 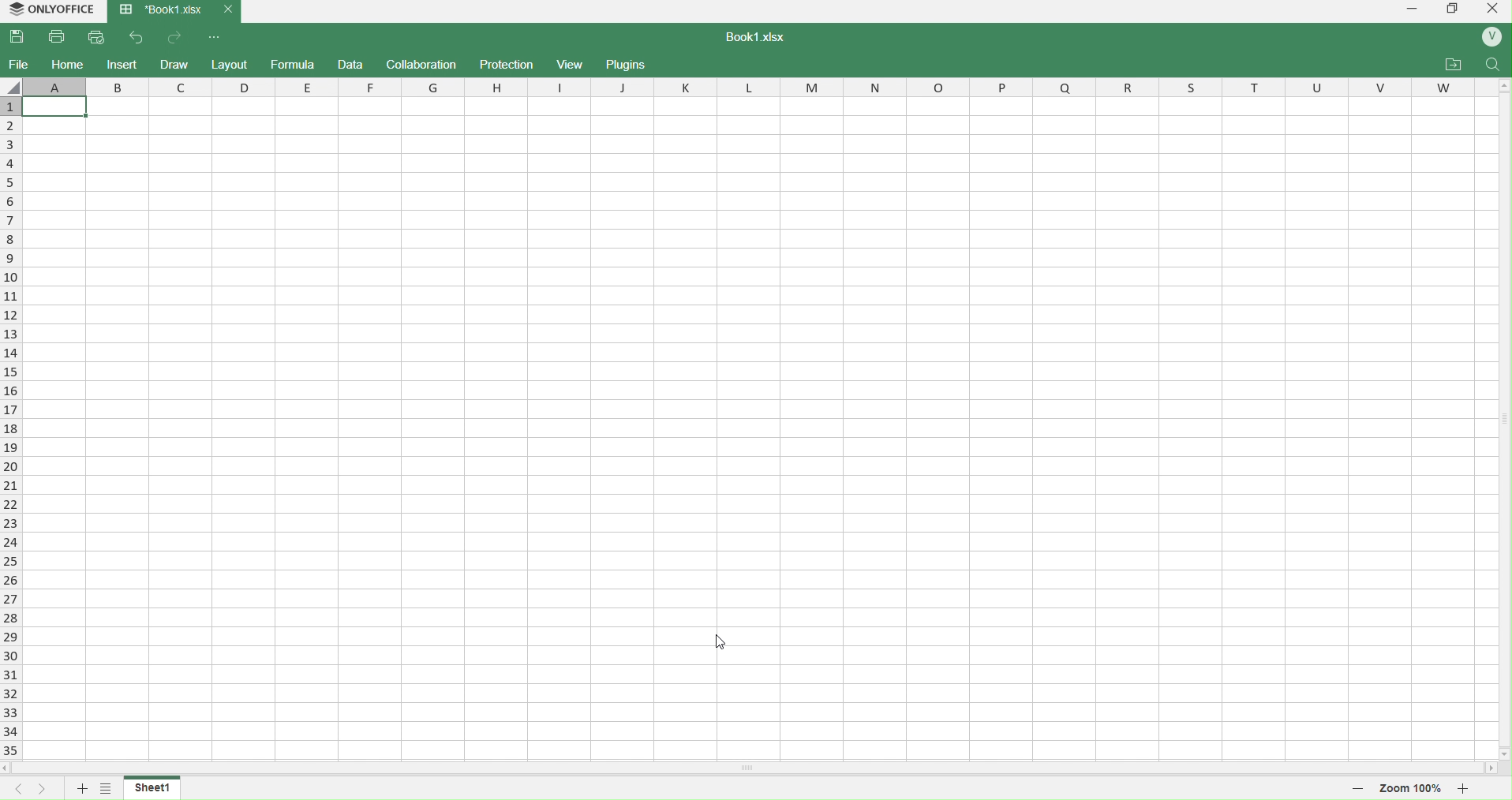 I want to click on options, so click(x=216, y=37).